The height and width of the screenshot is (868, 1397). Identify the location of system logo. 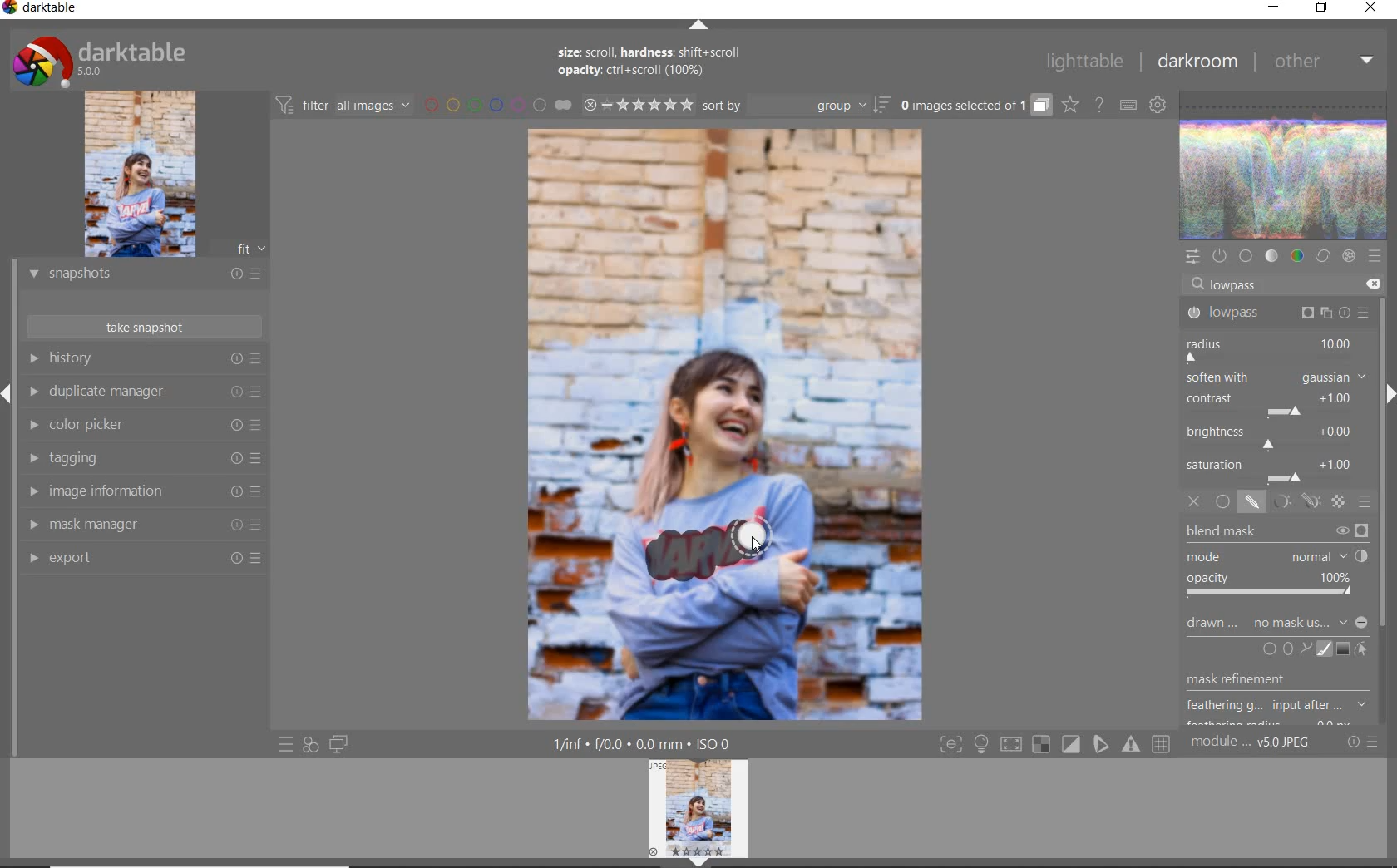
(99, 60).